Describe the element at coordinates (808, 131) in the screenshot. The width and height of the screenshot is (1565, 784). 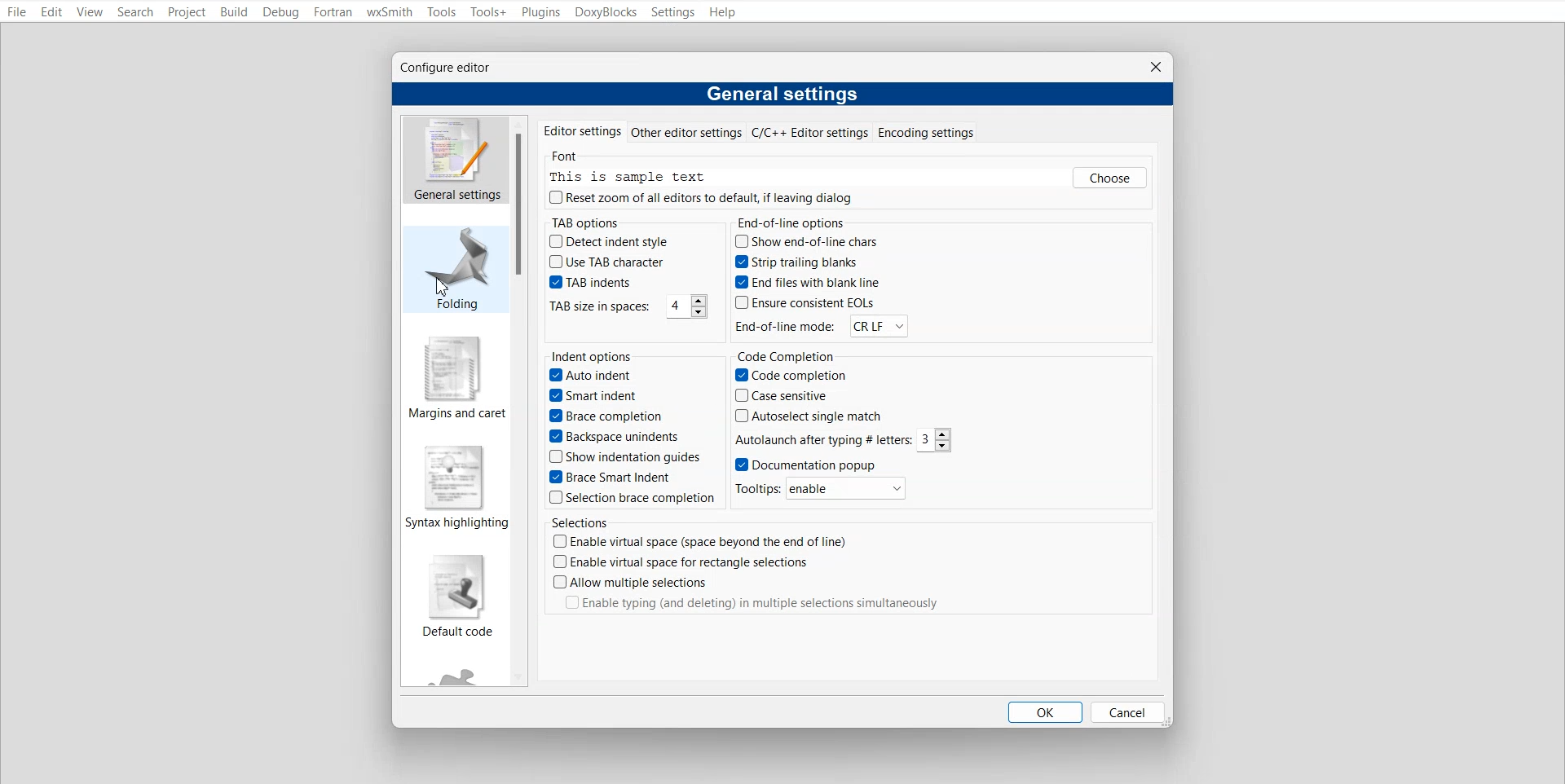
I see `C/C++ Editor Settings` at that location.